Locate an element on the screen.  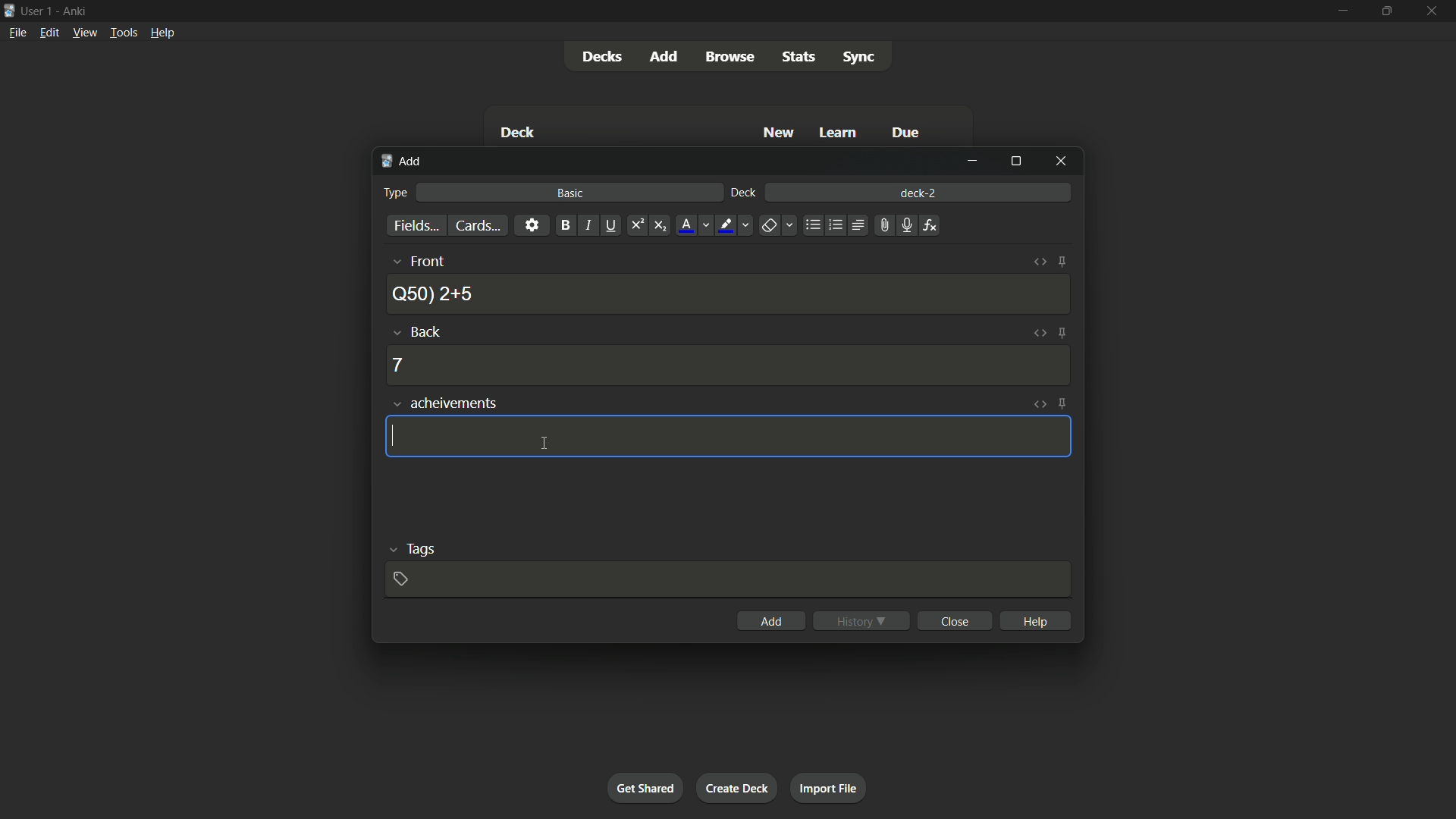
view menu is located at coordinates (85, 33).